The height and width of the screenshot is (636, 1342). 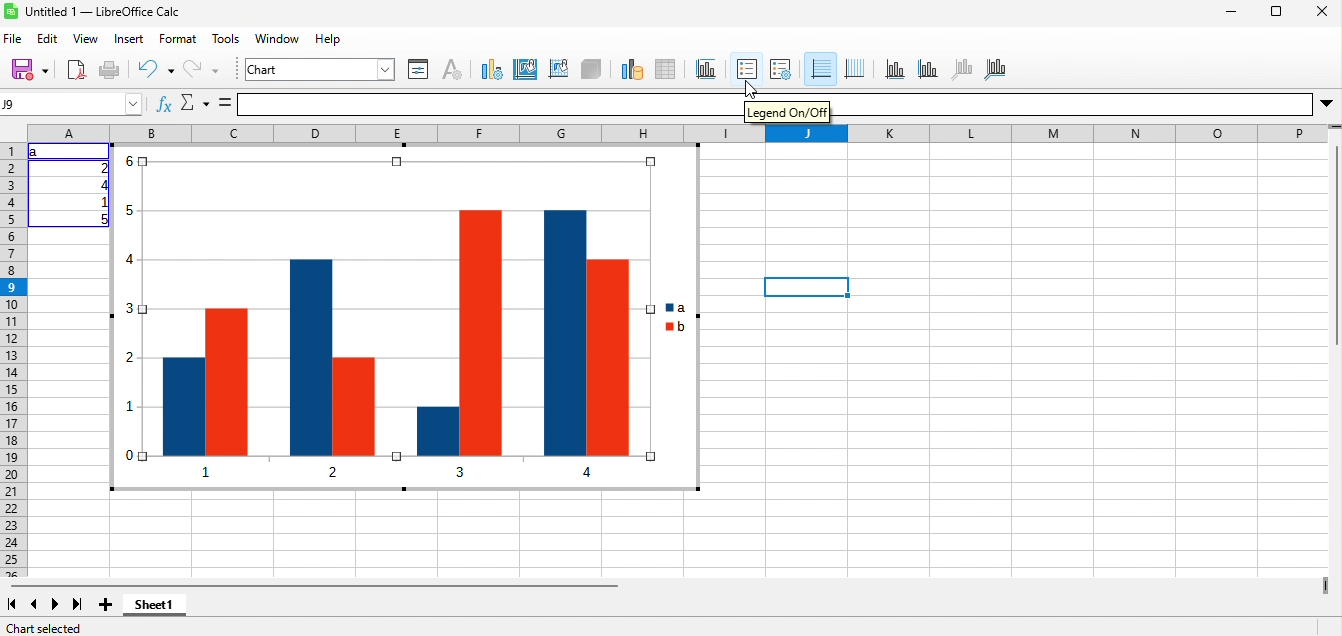 What do you see at coordinates (928, 70) in the screenshot?
I see `y axis` at bounding box center [928, 70].